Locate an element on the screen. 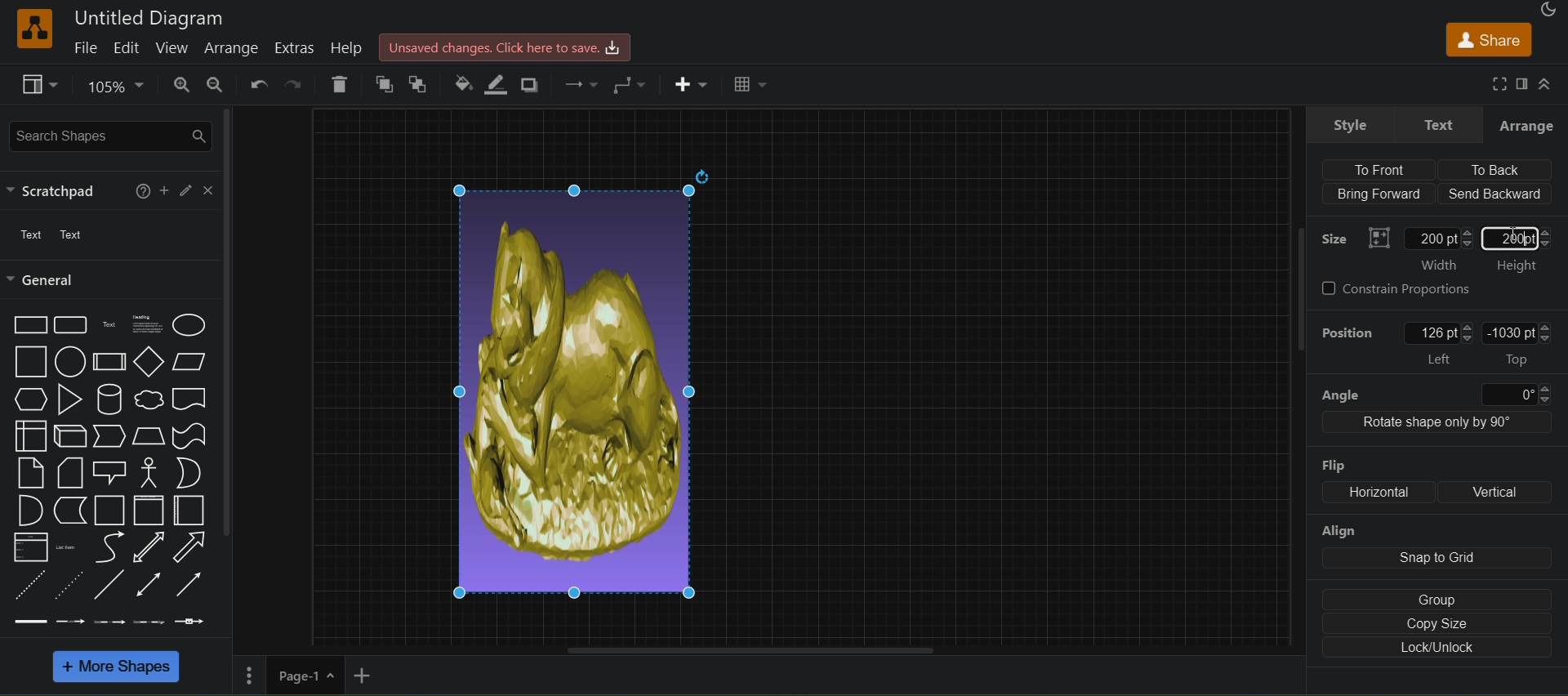 The width and height of the screenshot is (1568, 696). Unsaved changes.Click here to save. is located at coordinates (505, 46).